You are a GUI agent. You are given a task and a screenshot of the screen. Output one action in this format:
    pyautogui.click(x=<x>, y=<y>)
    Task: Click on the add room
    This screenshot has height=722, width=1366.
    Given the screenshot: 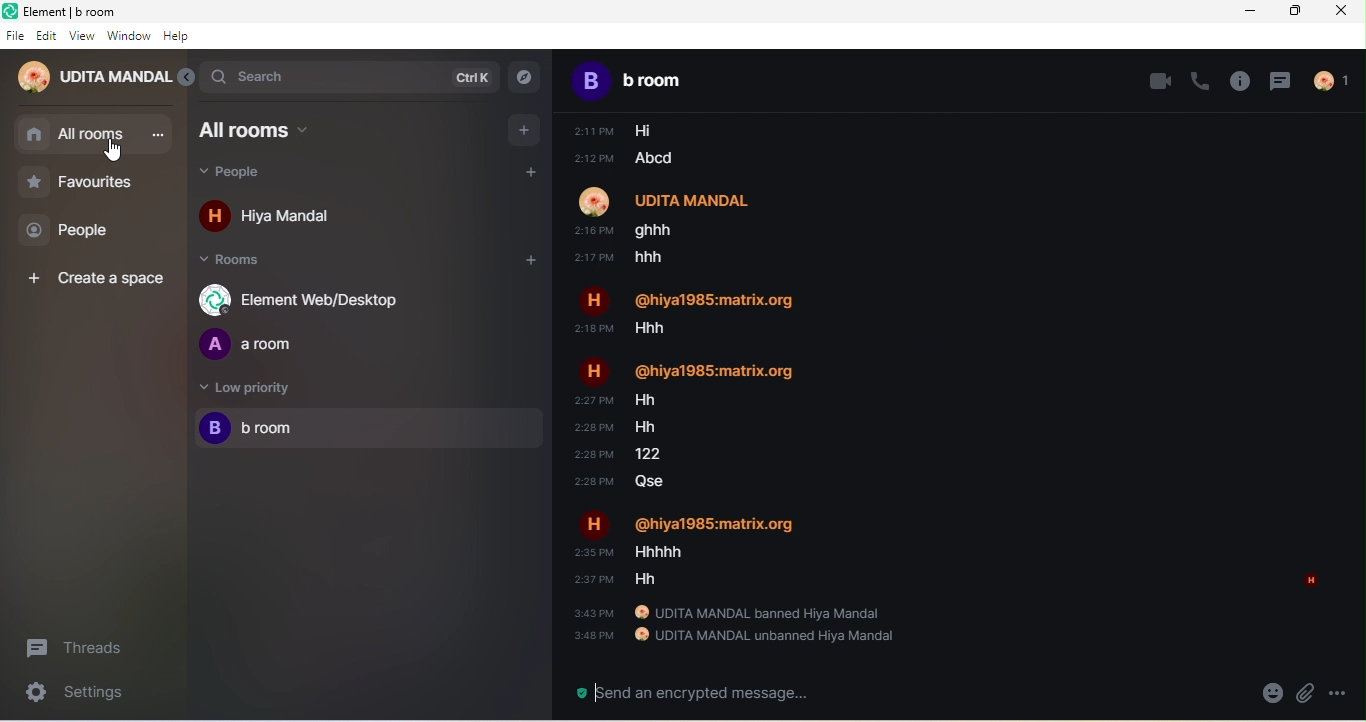 What is the action you would take?
    pyautogui.click(x=525, y=130)
    